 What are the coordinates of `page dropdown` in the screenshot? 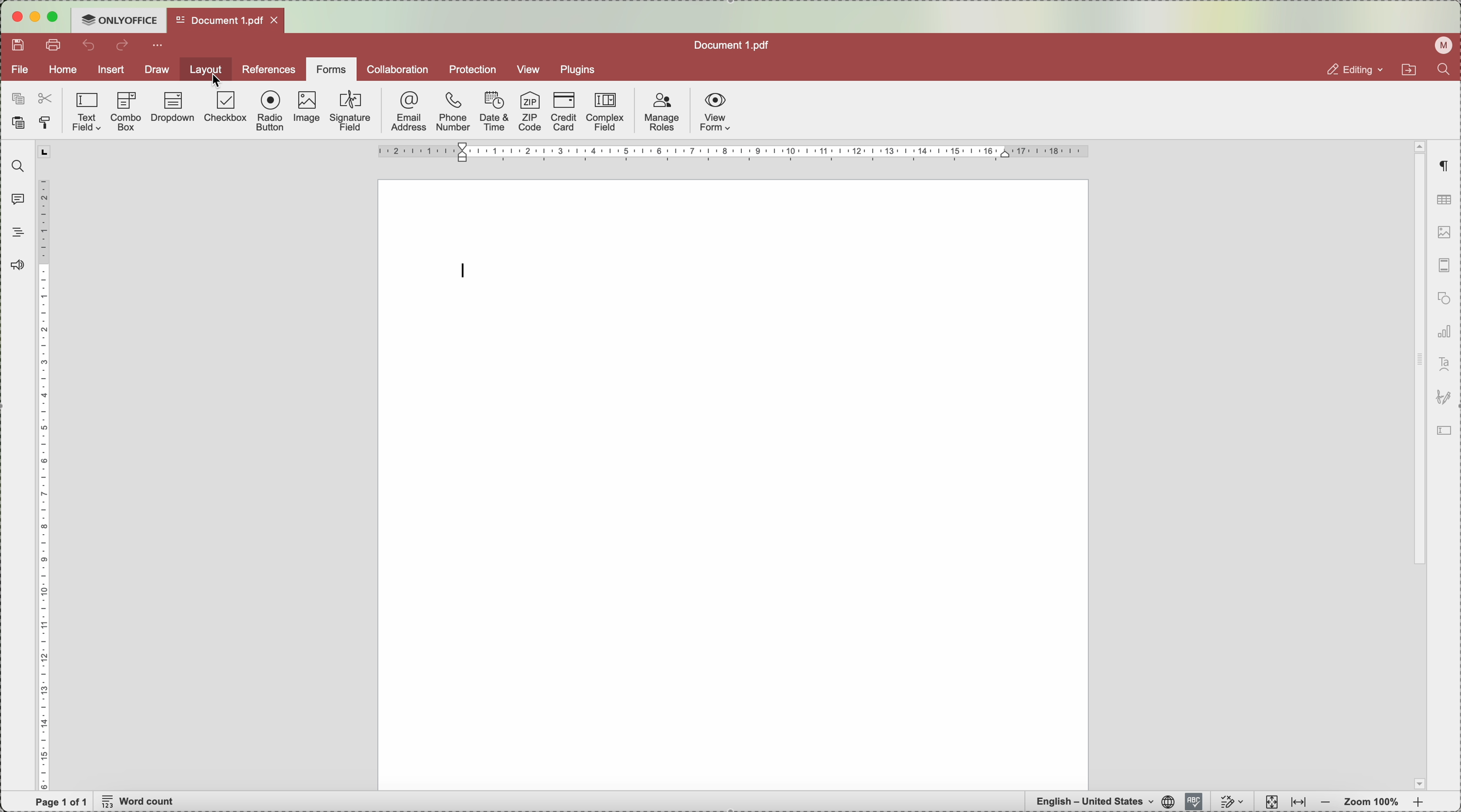 It's located at (1416, 783).